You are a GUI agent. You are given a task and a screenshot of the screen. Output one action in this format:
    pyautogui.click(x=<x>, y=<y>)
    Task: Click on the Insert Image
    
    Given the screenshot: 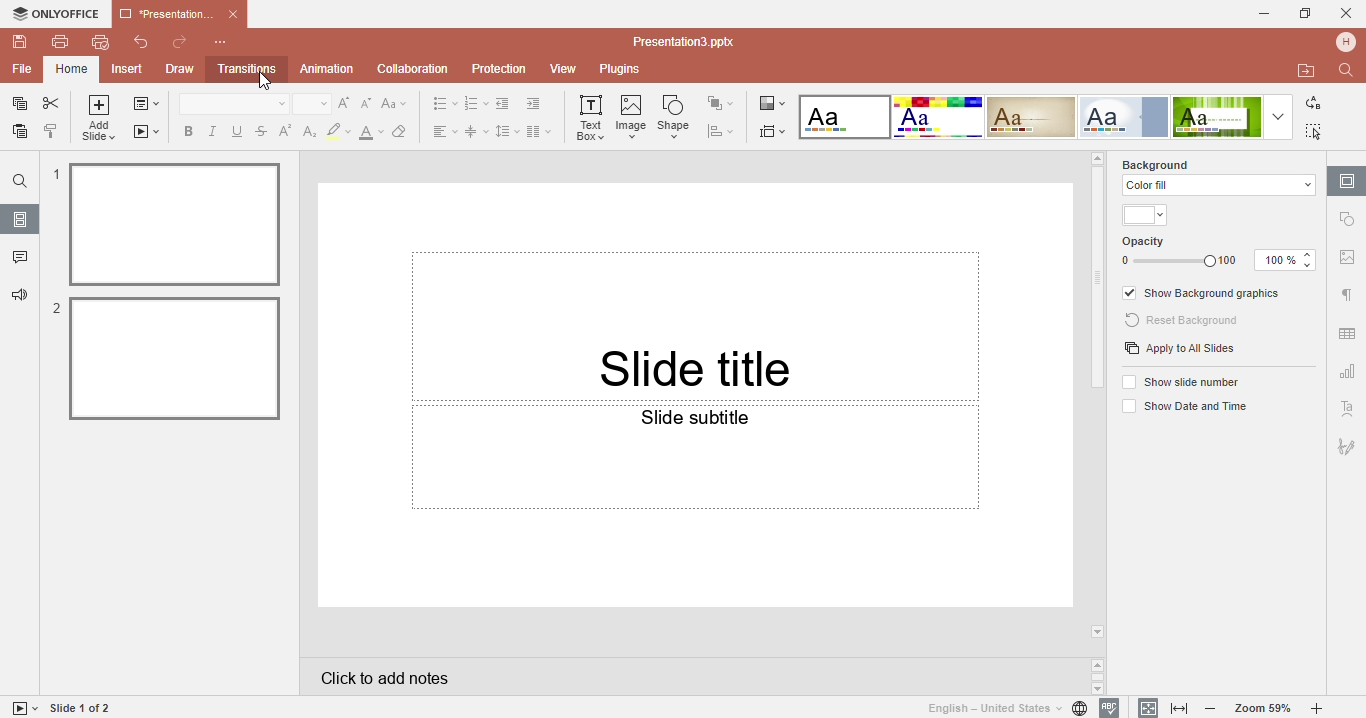 What is the action you would take?
    pyautogui.click(x=633, y=116)
    